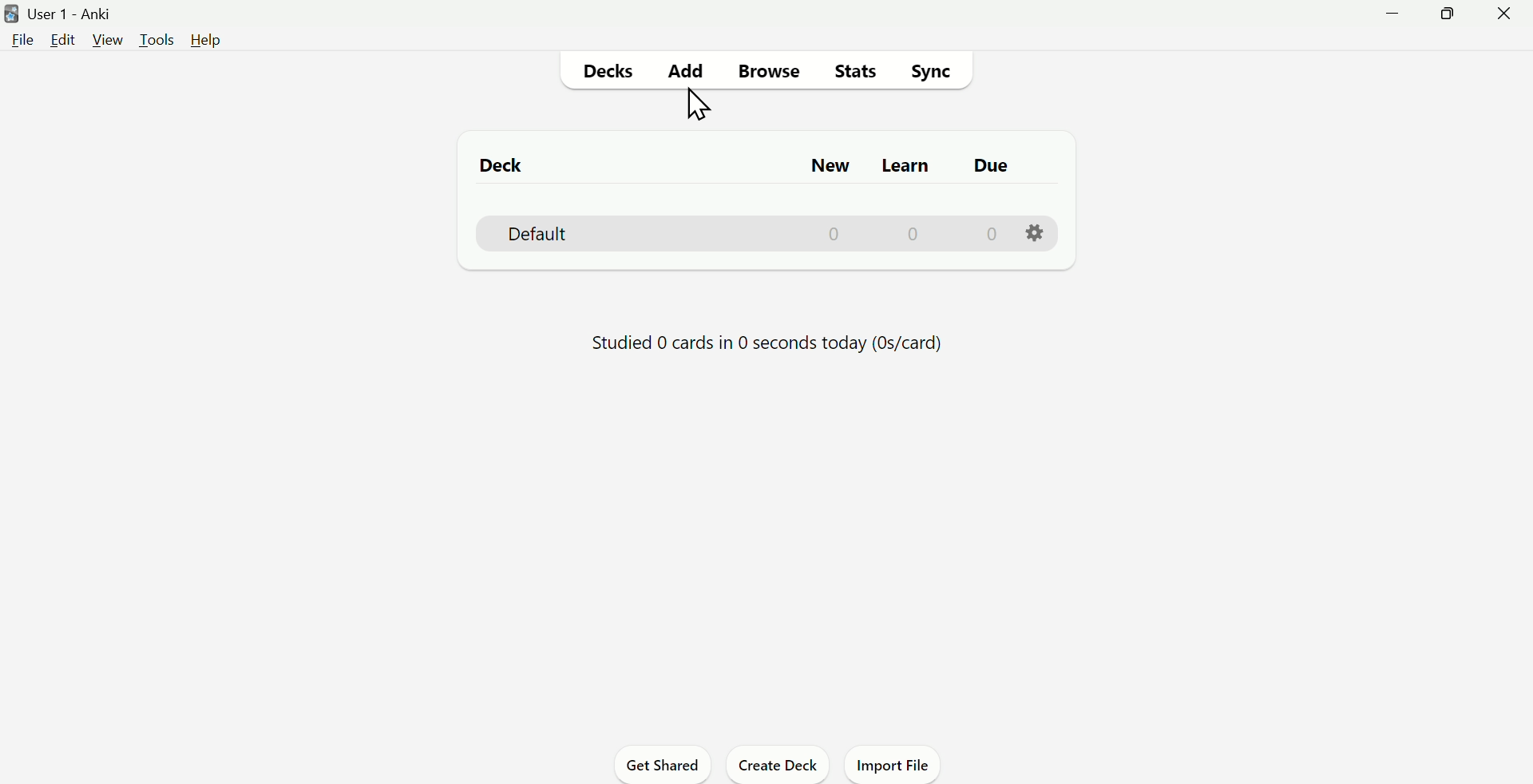 Image resolution: width=1533 pixels, height=784 pixels. Describe the element at coordinates (693, 106) in the screenshot. I see `Cursor` at that location.